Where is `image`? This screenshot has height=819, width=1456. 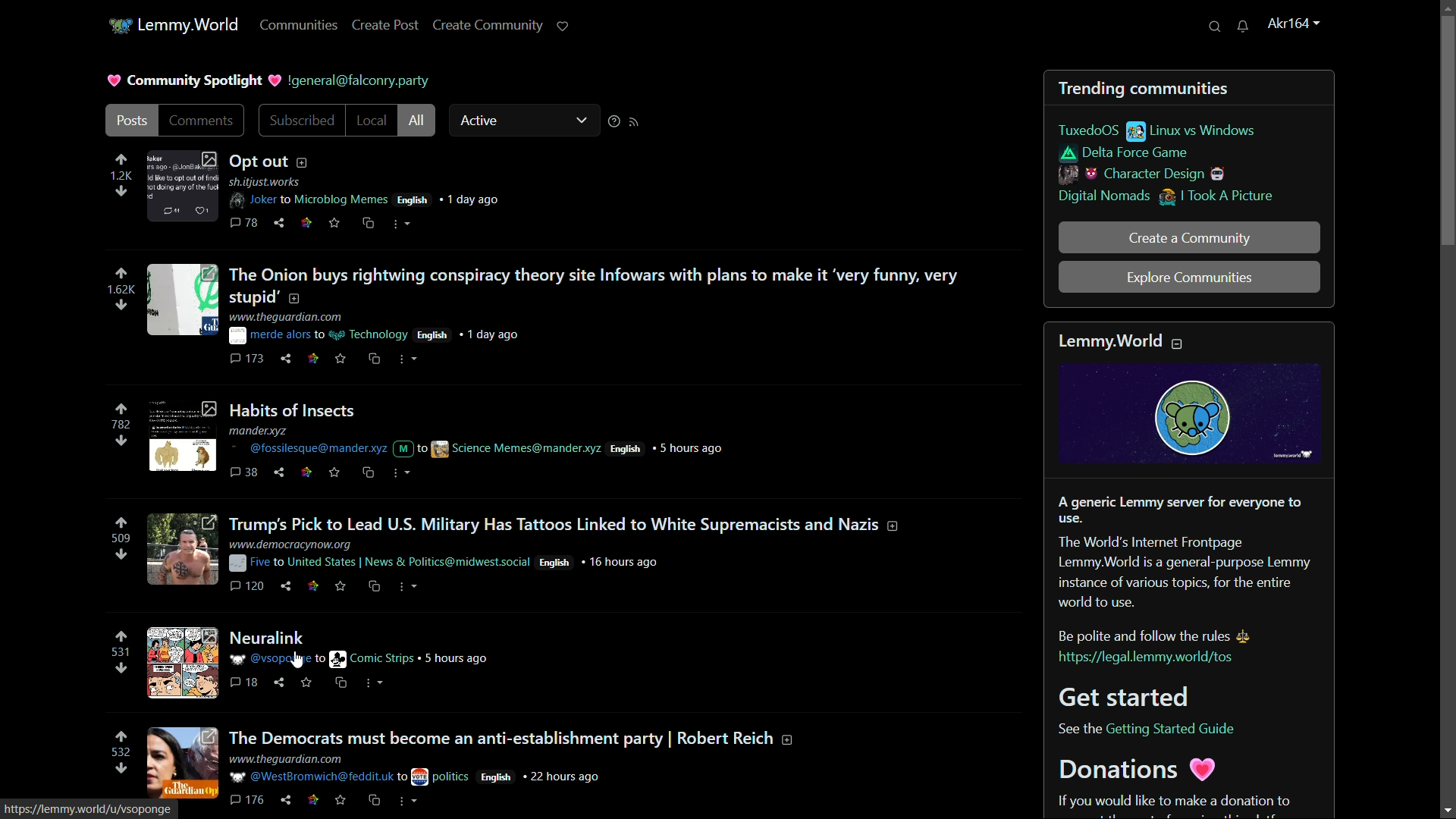
image is located at coordinates (181, 551).